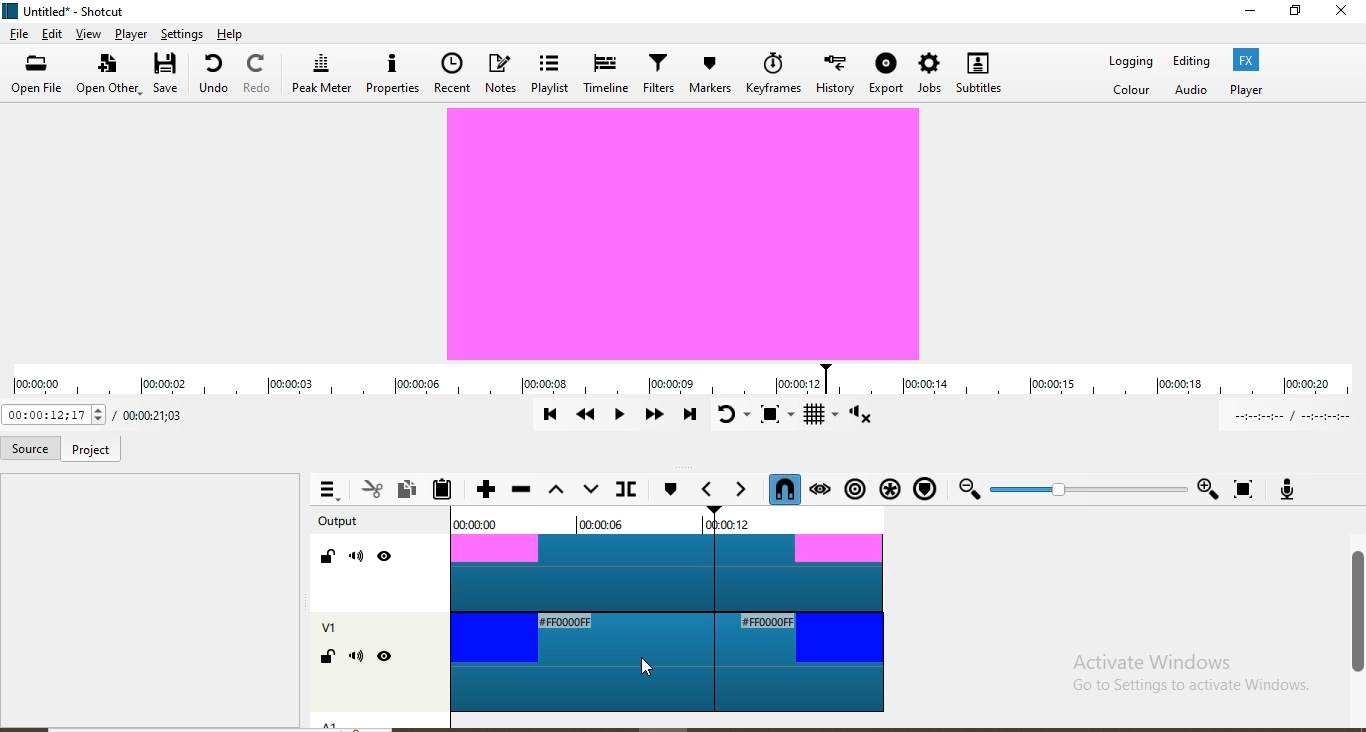 The height and width of the screenshot is (732, 1366). What do you see at coordinates (605, 74) in the screenshot?
I see `Timeline` at bounding box center [605, 74].